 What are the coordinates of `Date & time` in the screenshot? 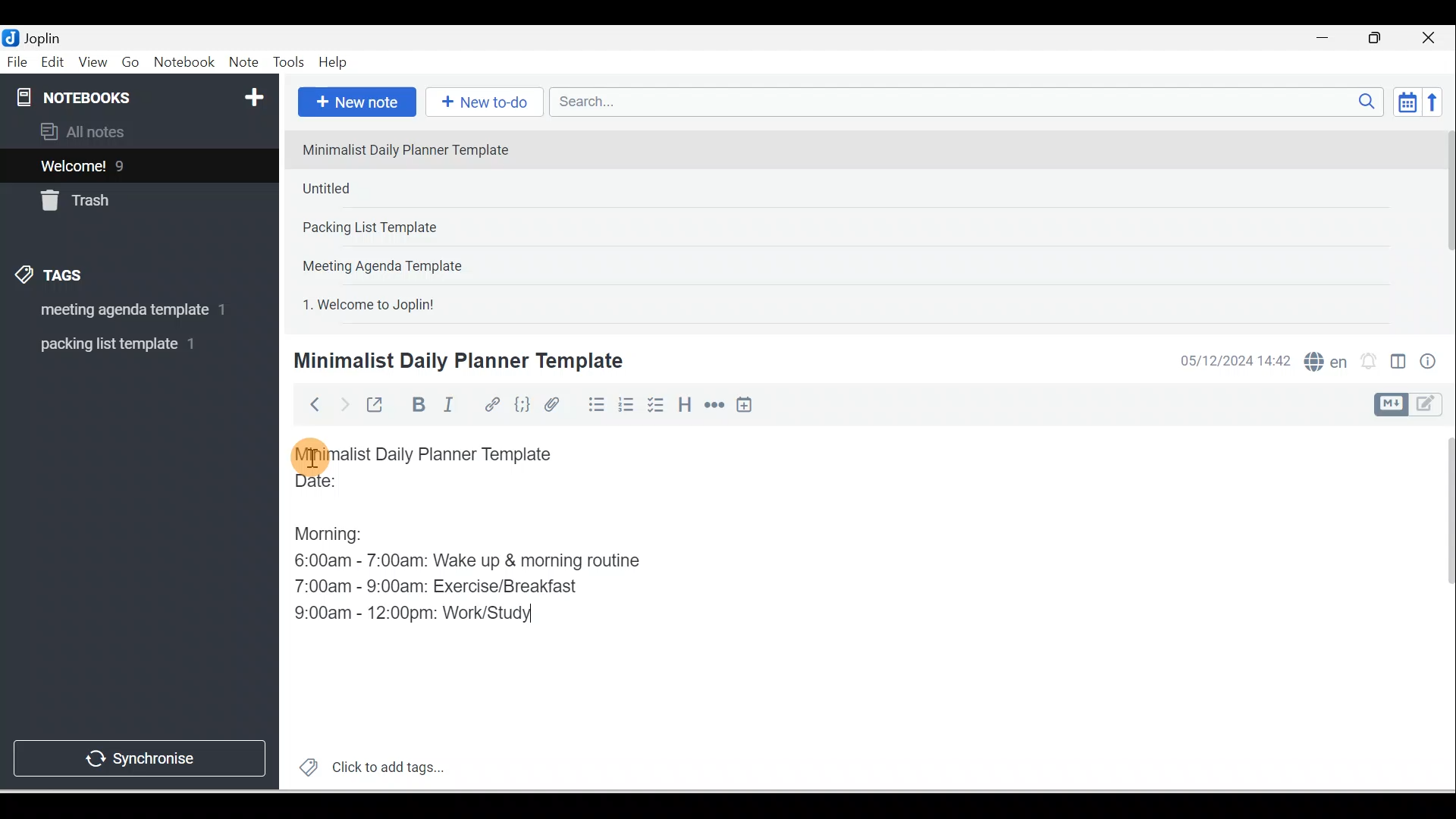 It's located at (1232, 361).